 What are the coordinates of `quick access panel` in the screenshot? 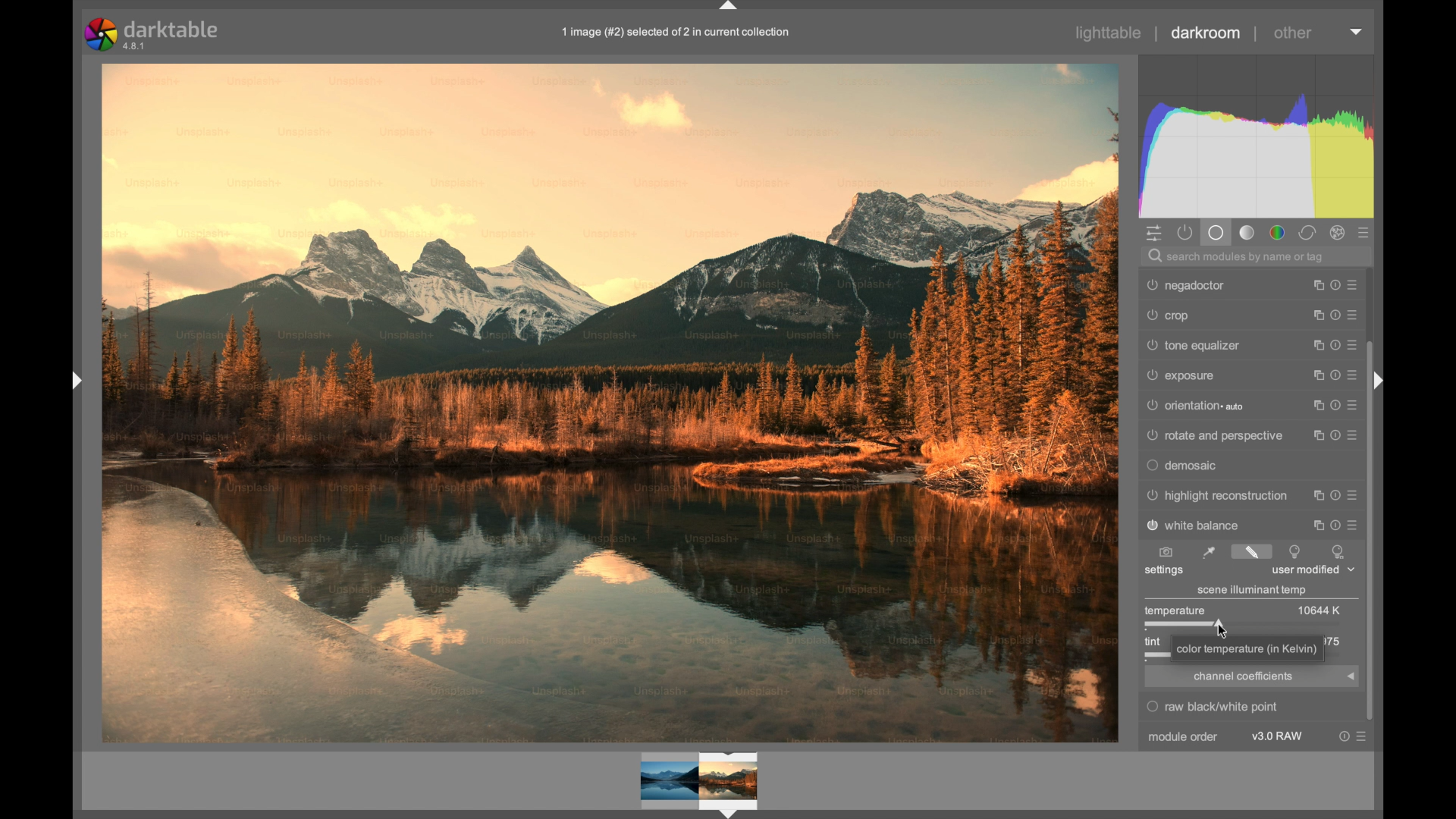 It's located at (1154, 234).